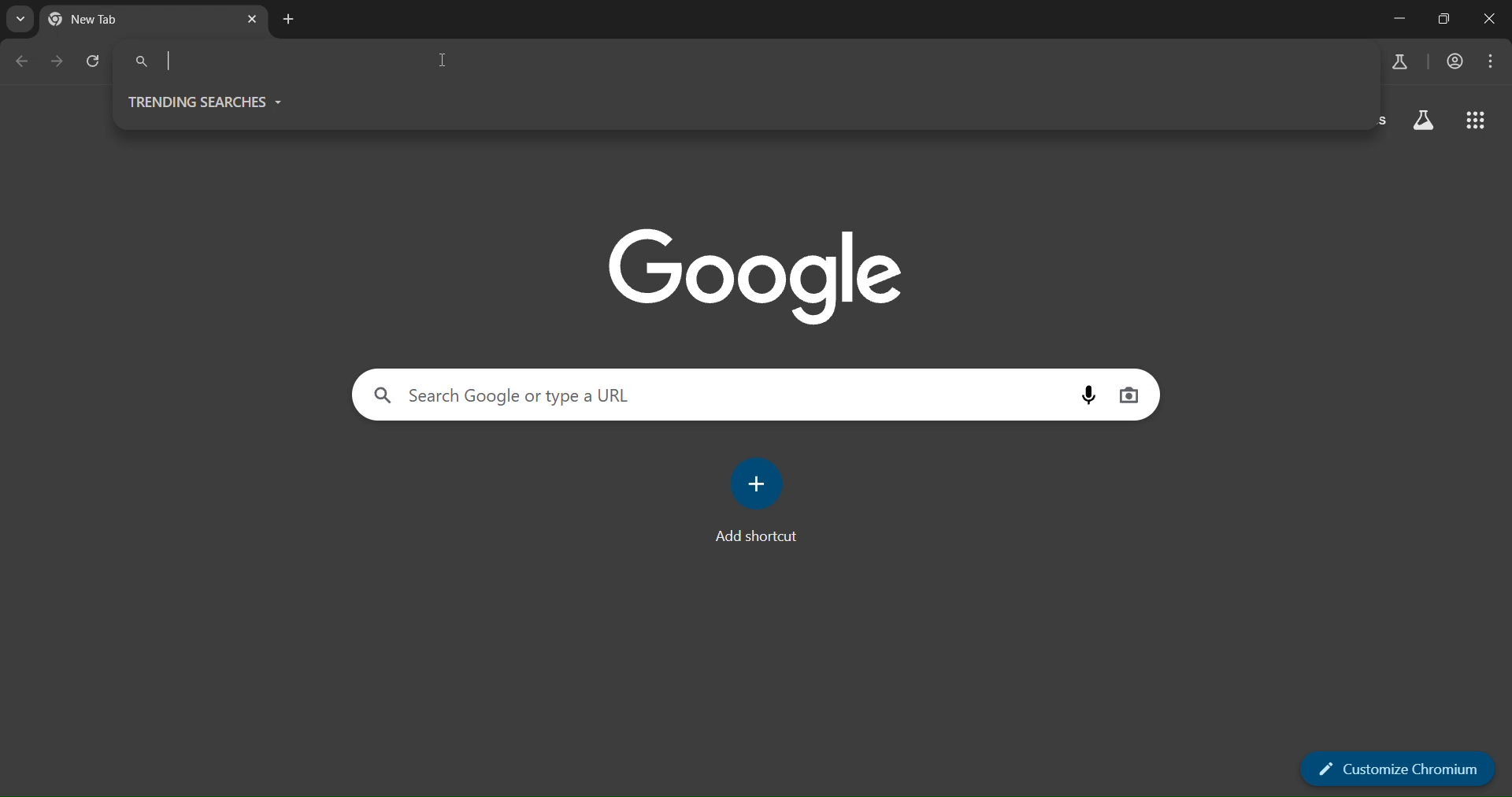  What do you see at coordinates (447, 57) in the screenshot?
I see `cursor` at bounding box center [447, 57].